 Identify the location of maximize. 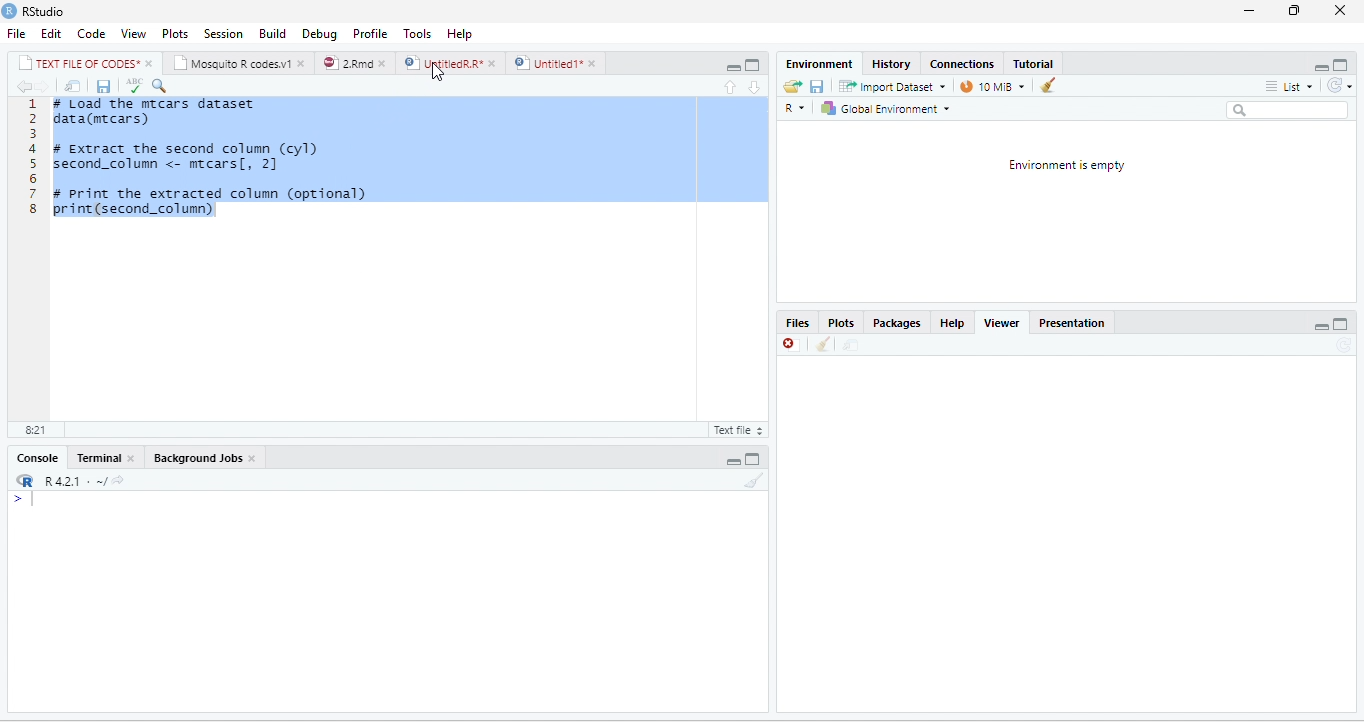
(1343, 64).